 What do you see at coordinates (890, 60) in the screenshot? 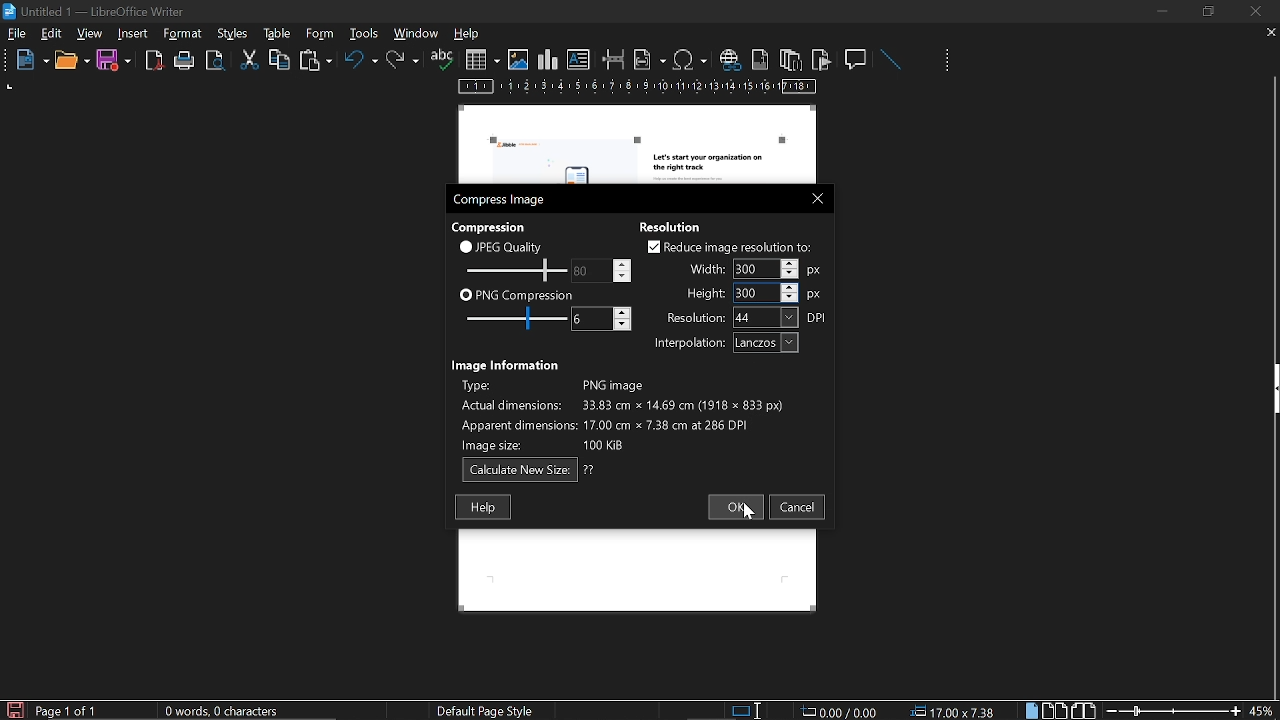
I see `line` at bounding box center [890, 60].